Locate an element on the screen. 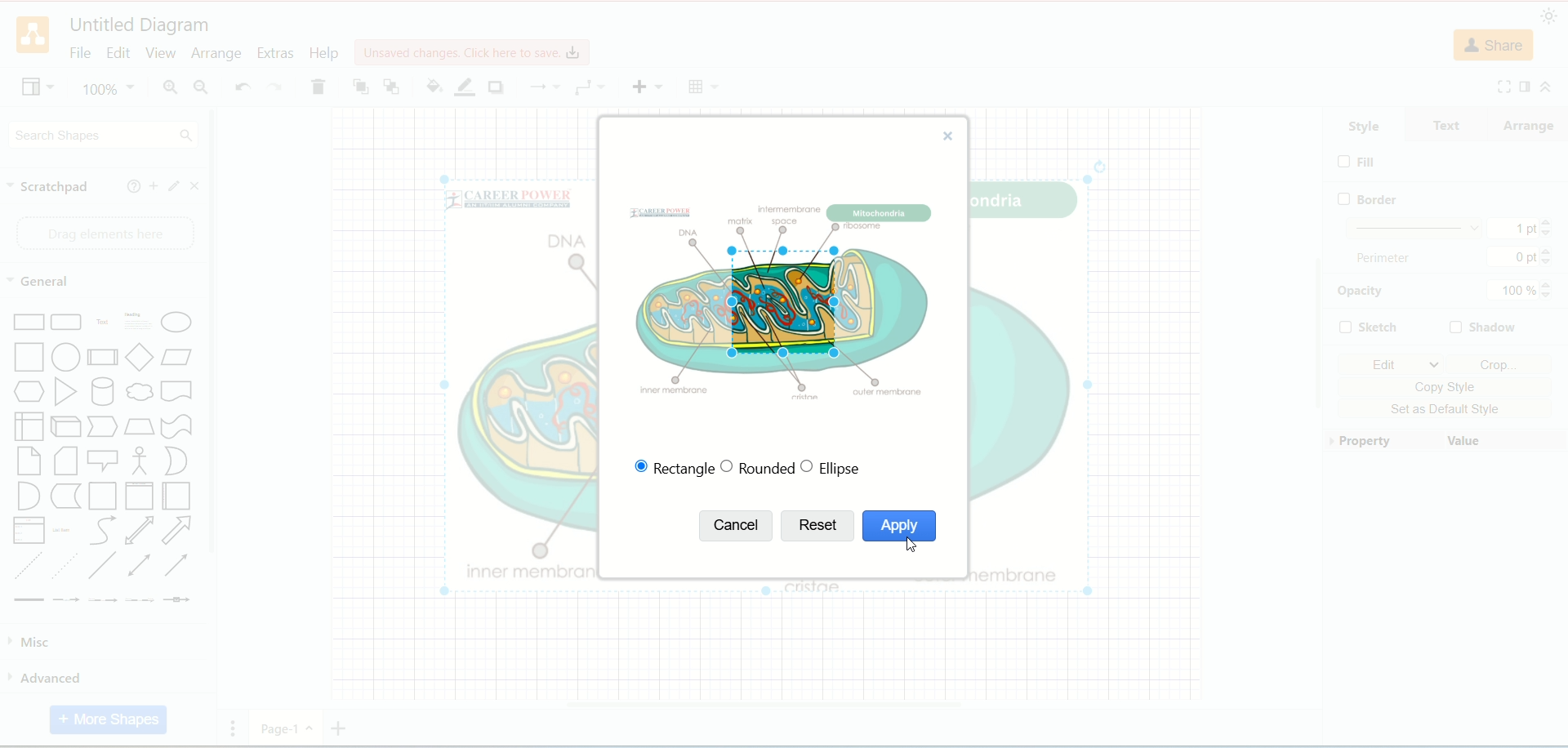  Dotted Line is located at coordinates (67, 568).